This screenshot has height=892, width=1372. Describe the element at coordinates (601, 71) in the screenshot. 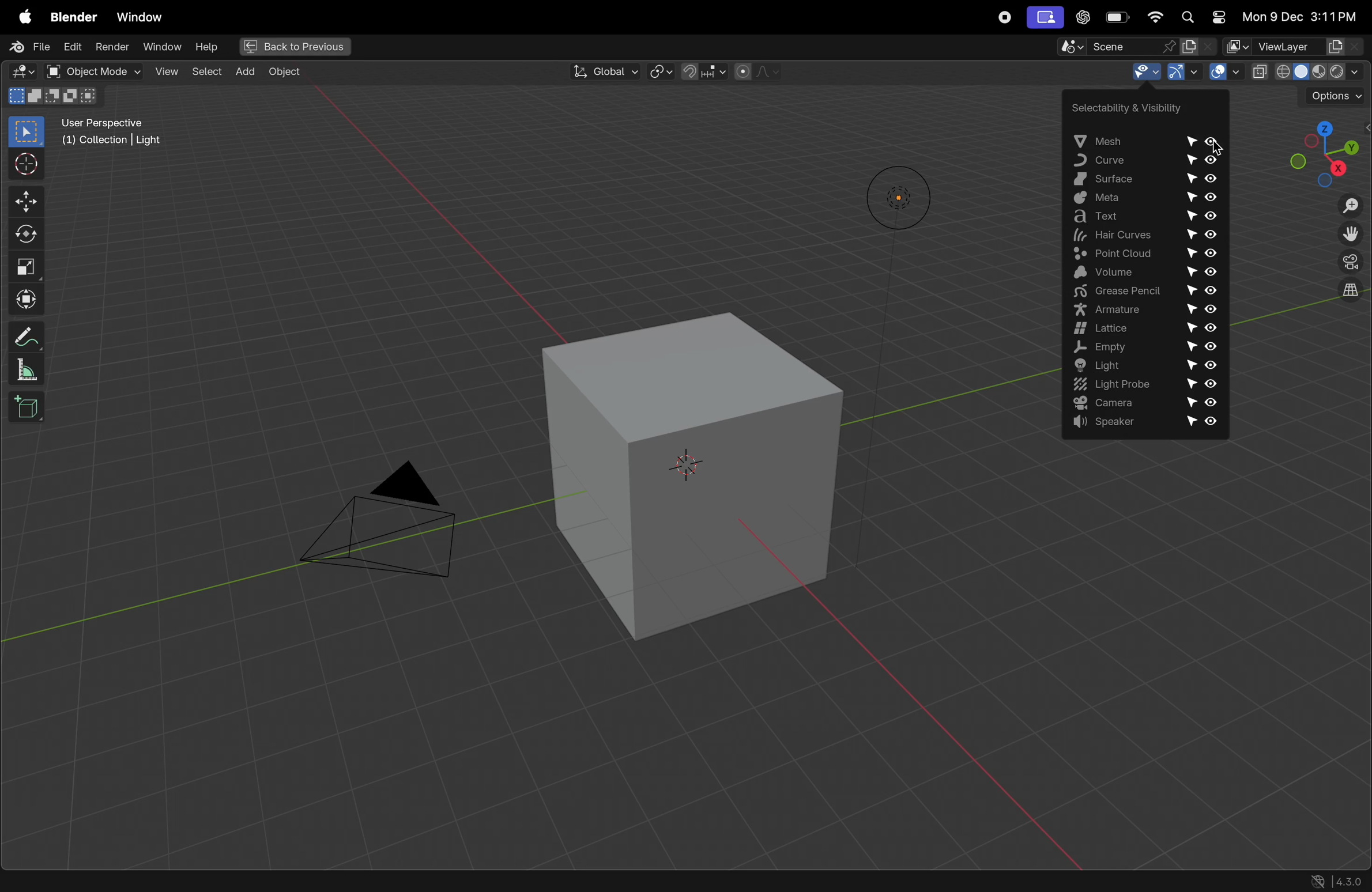

I see `global` at that location.